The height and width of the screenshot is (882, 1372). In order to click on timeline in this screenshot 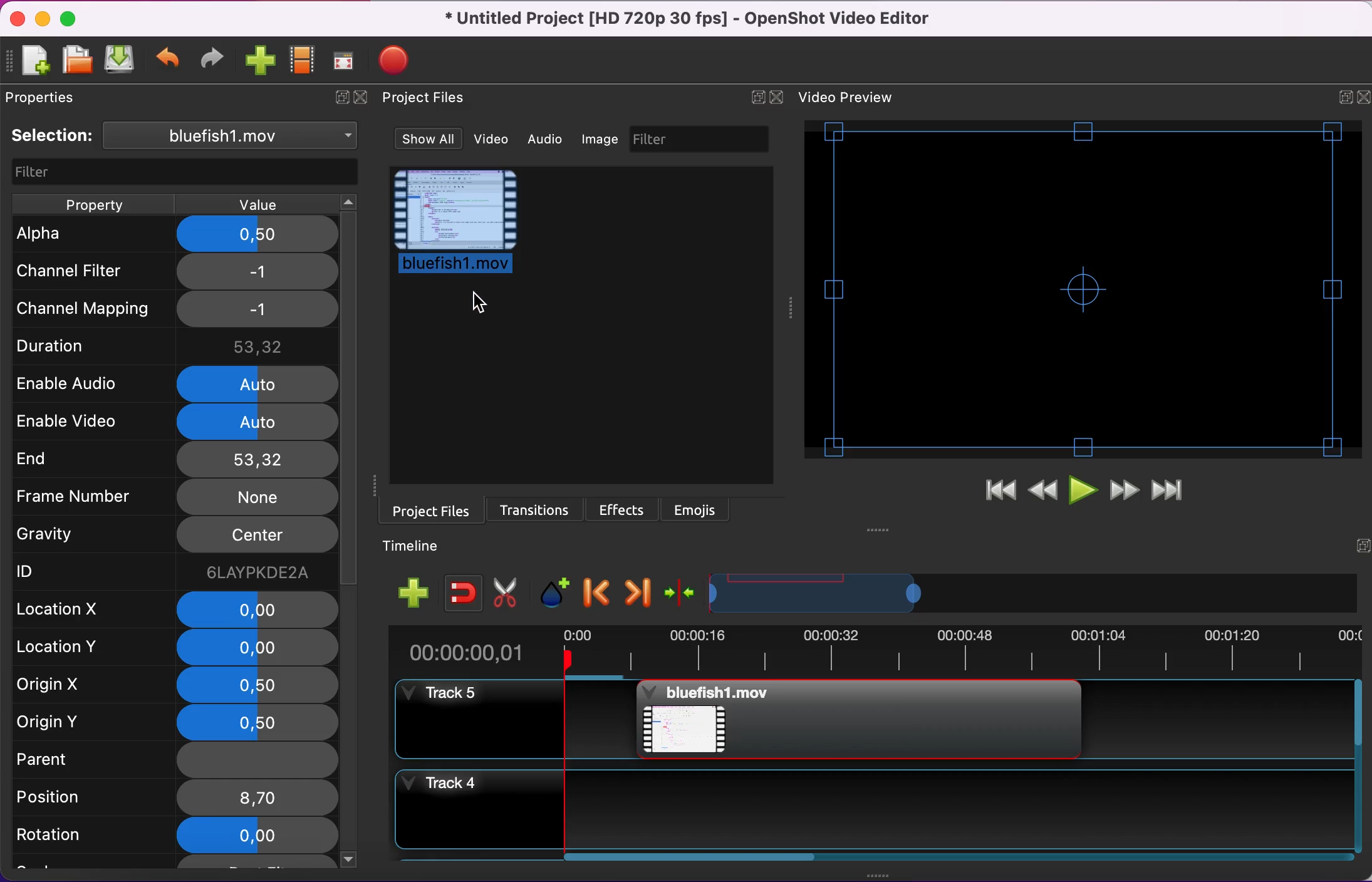, I will do `click(421, 546)`.